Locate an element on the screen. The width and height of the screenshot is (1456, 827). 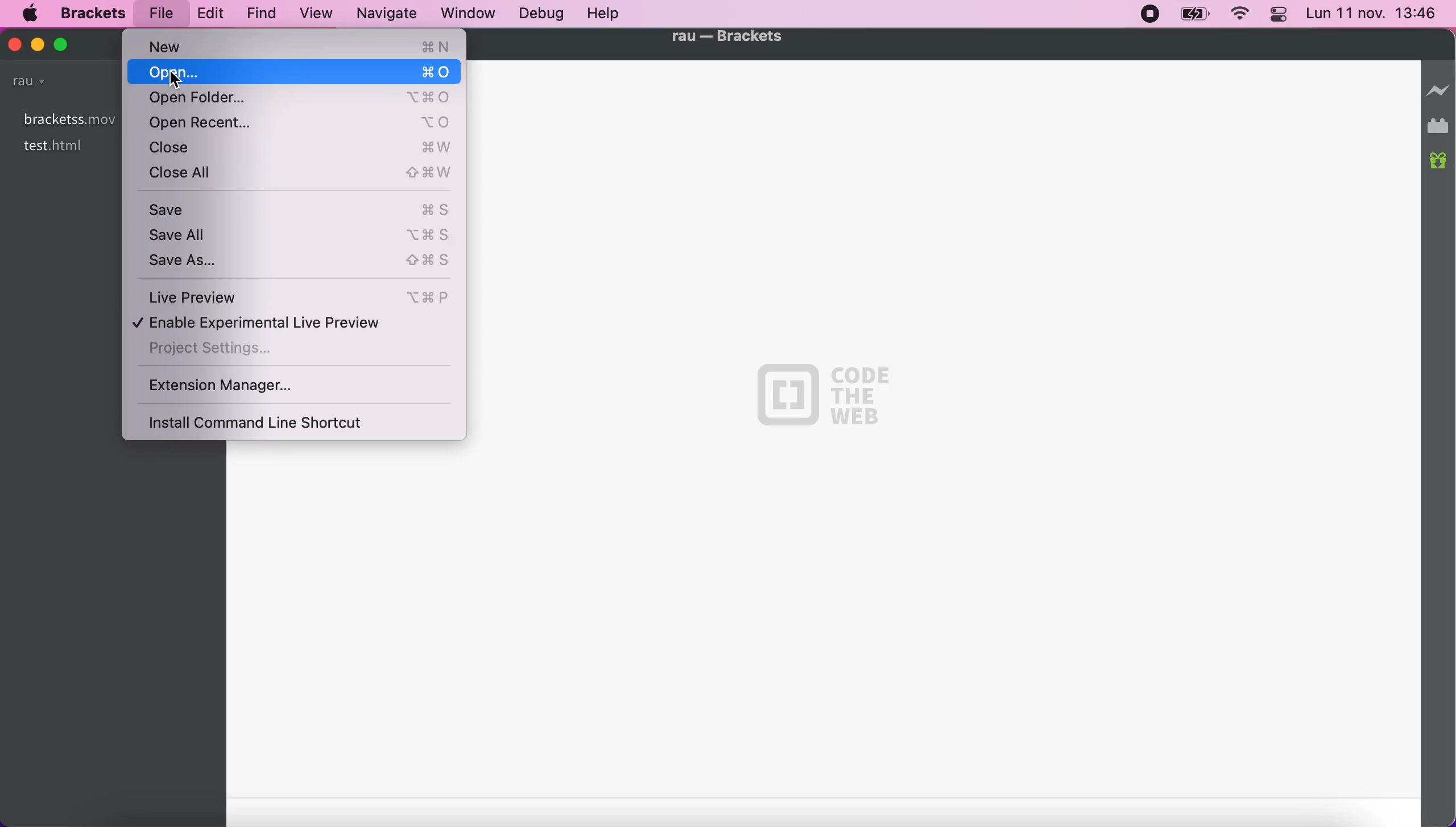
recording stopped is located at coordinates (1148, 15).